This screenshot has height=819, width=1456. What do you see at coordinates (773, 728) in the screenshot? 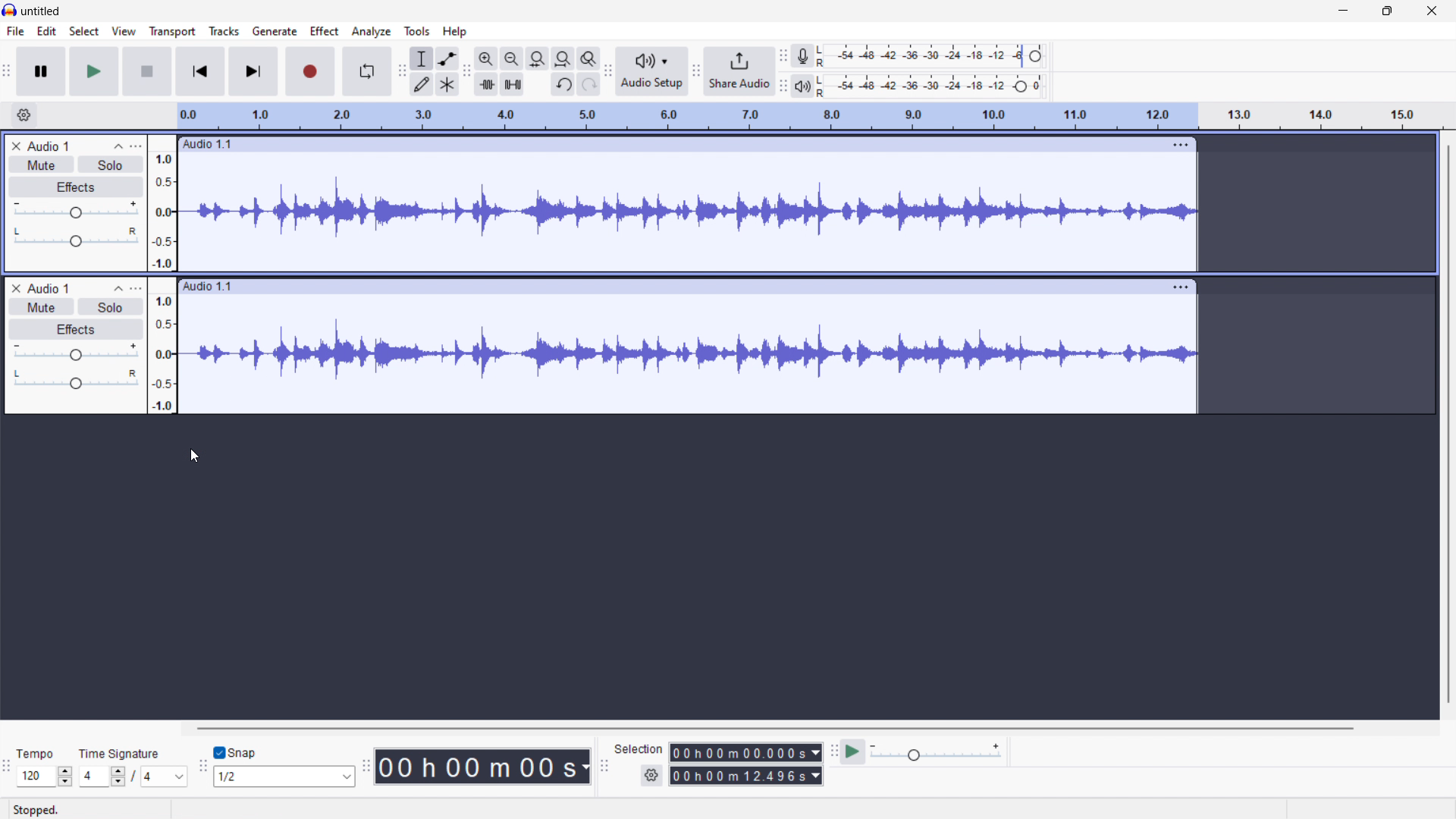
I see `horizontal scrollbar` at bounding box center [773, 728].